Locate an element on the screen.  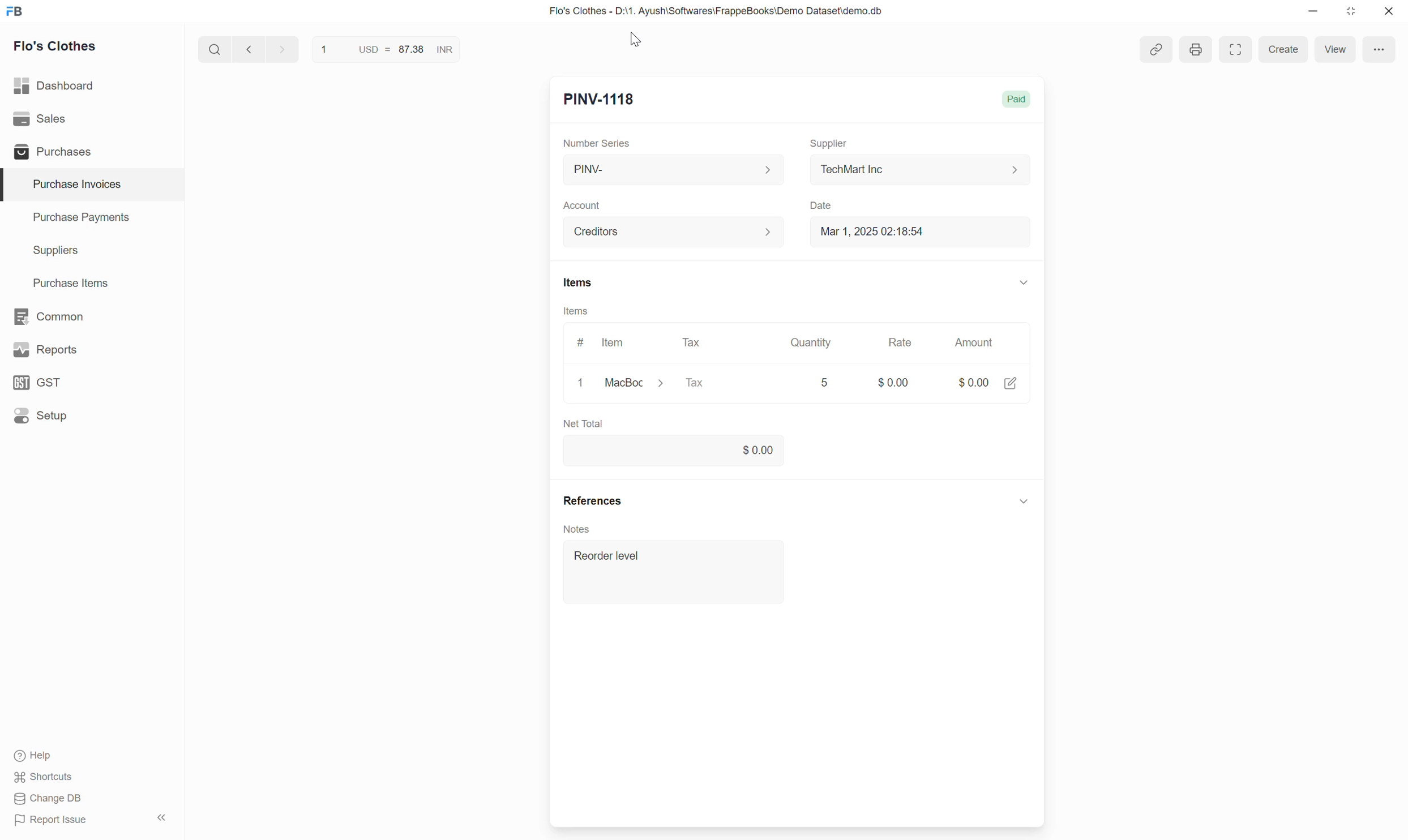
Previous is located at coordinates (249, 49).